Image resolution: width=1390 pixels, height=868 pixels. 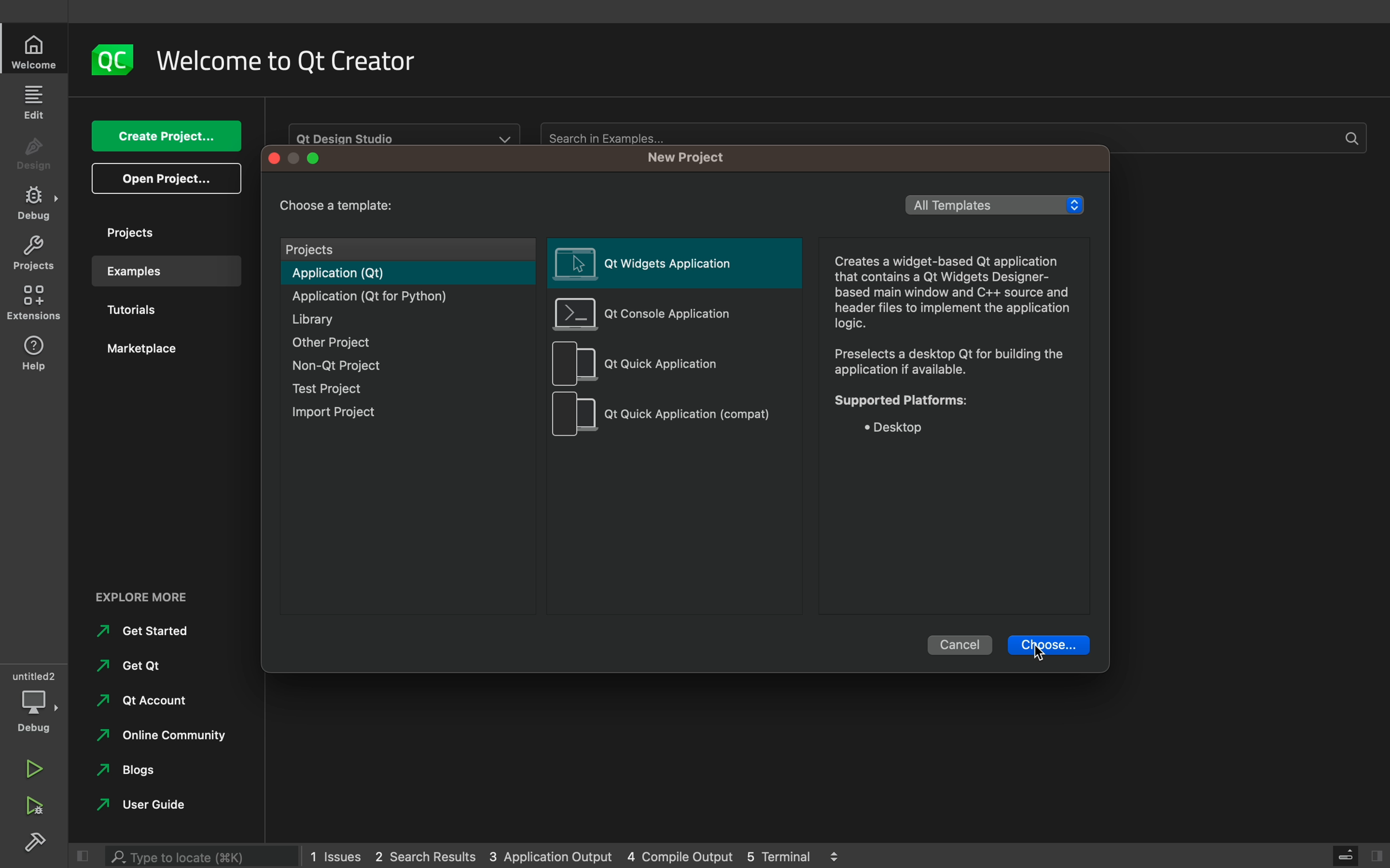 What do you see at coordinates (36, 101) in the screenshot?
I see `edit` at bounding box center [36, 101].